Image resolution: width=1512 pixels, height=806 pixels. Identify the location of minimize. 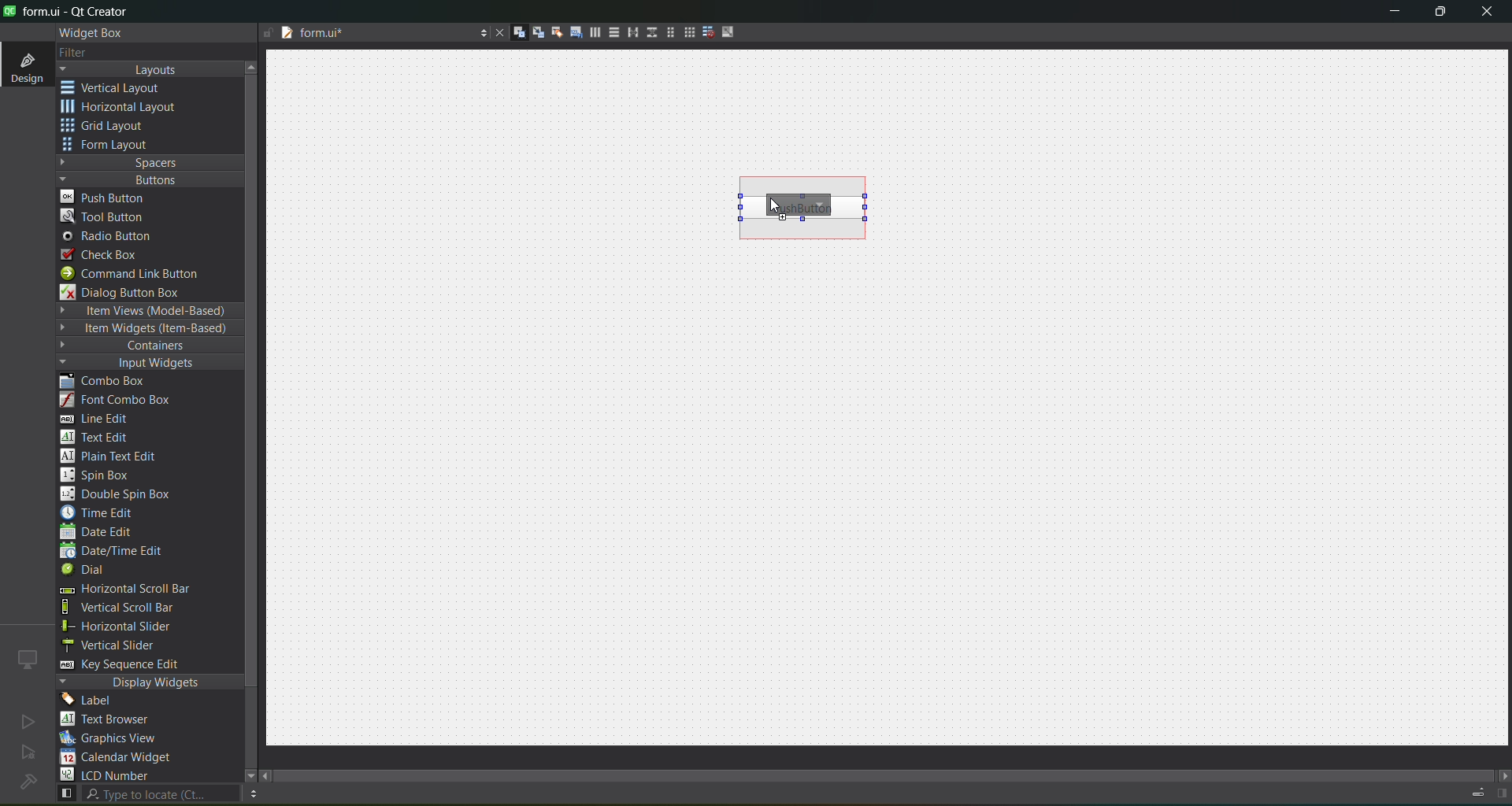
(1395, 14).